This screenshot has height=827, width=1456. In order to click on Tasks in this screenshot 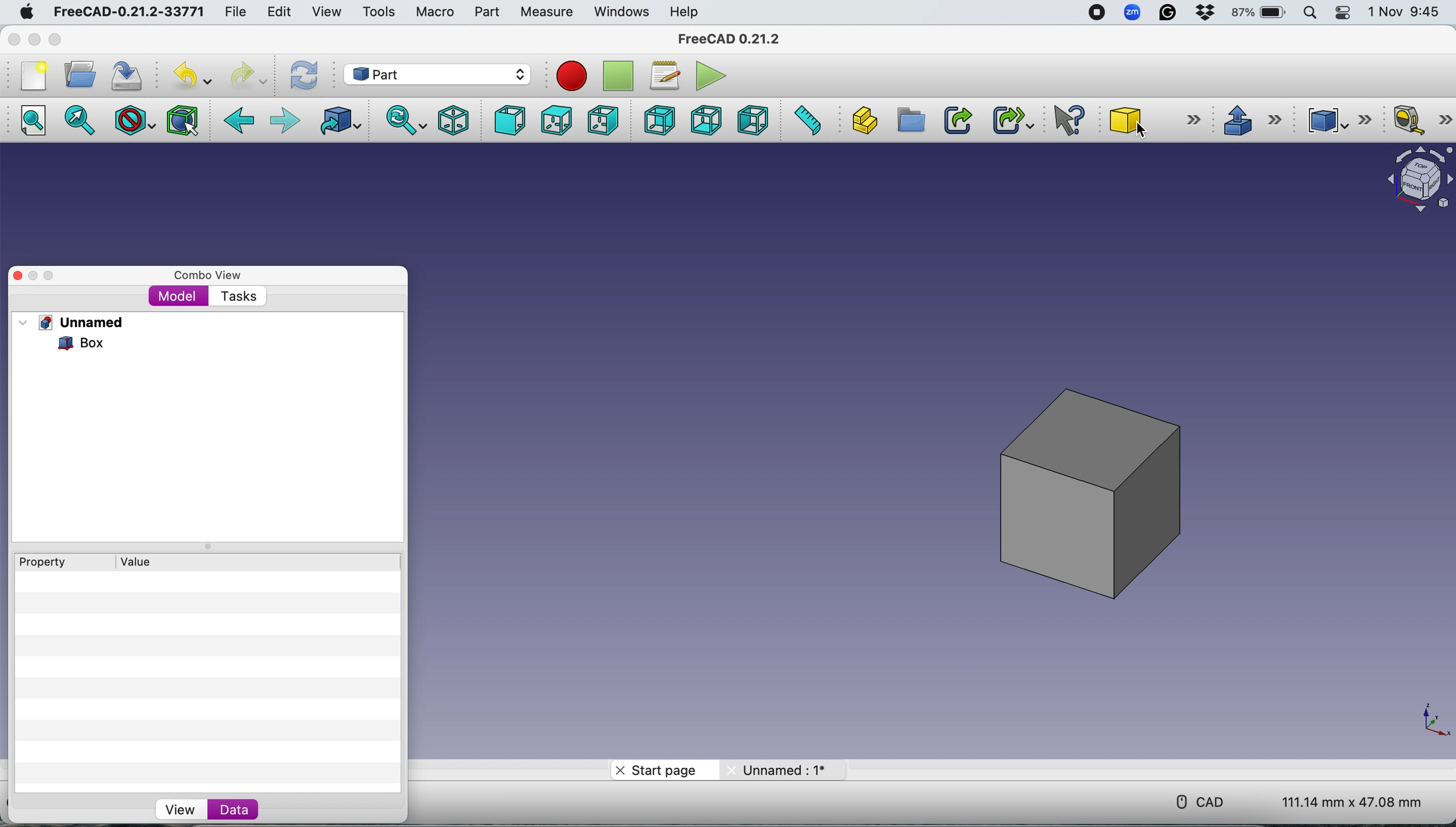, I will do `click(238, 297)`.